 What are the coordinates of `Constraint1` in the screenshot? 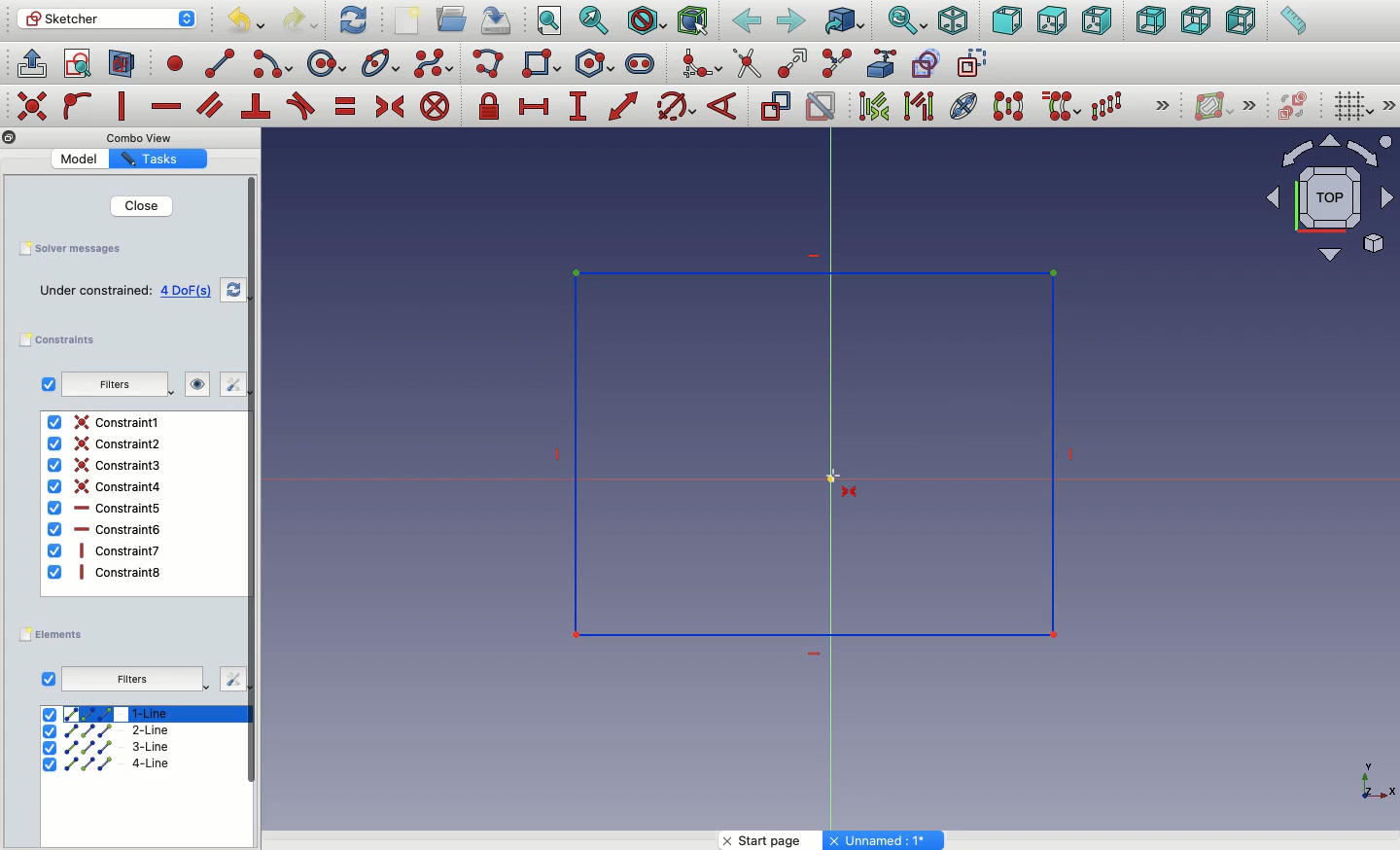 It's located at (103, 422).